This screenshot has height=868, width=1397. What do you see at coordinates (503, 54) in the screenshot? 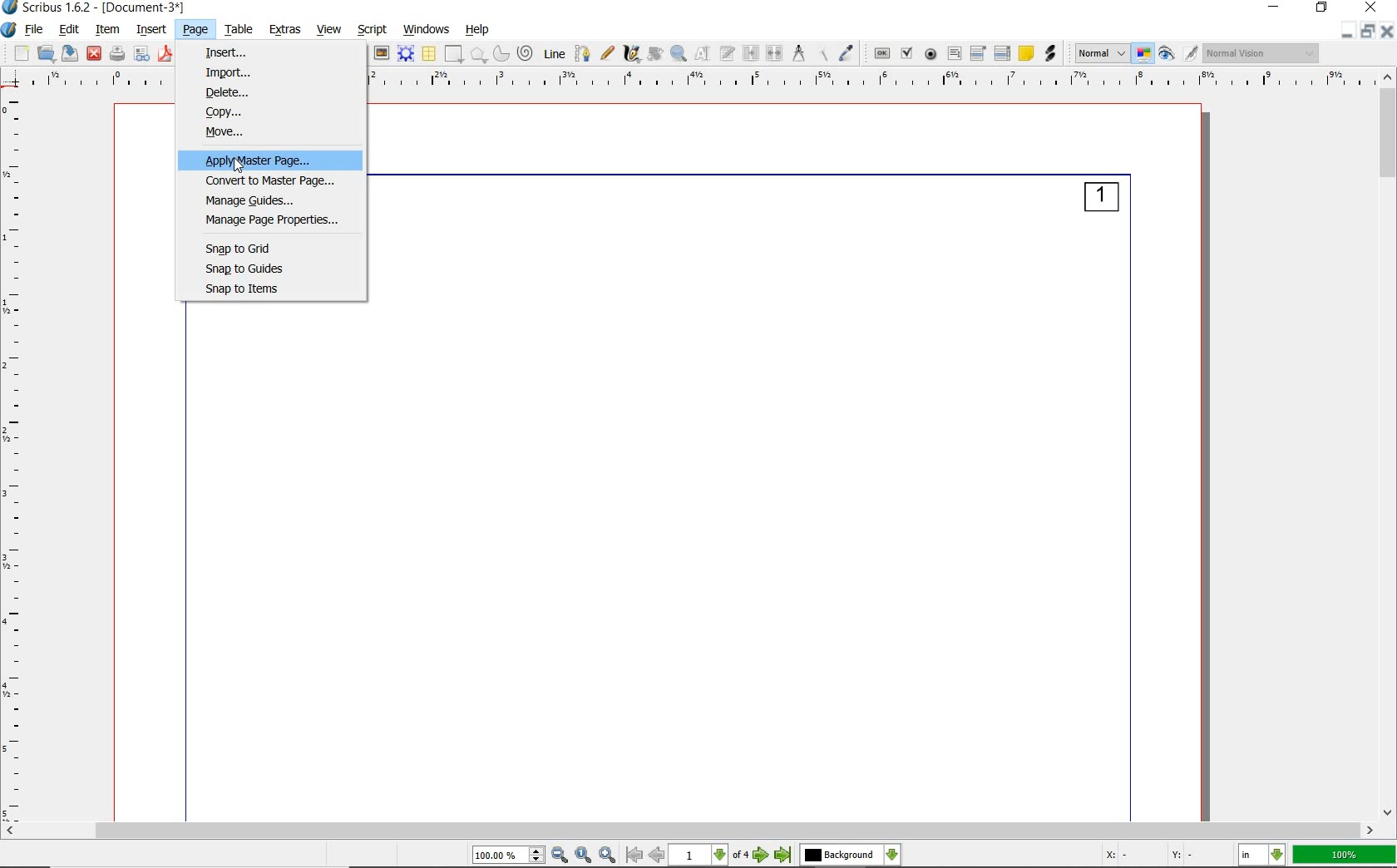
I see `arc` at bounding box center [503, 54].